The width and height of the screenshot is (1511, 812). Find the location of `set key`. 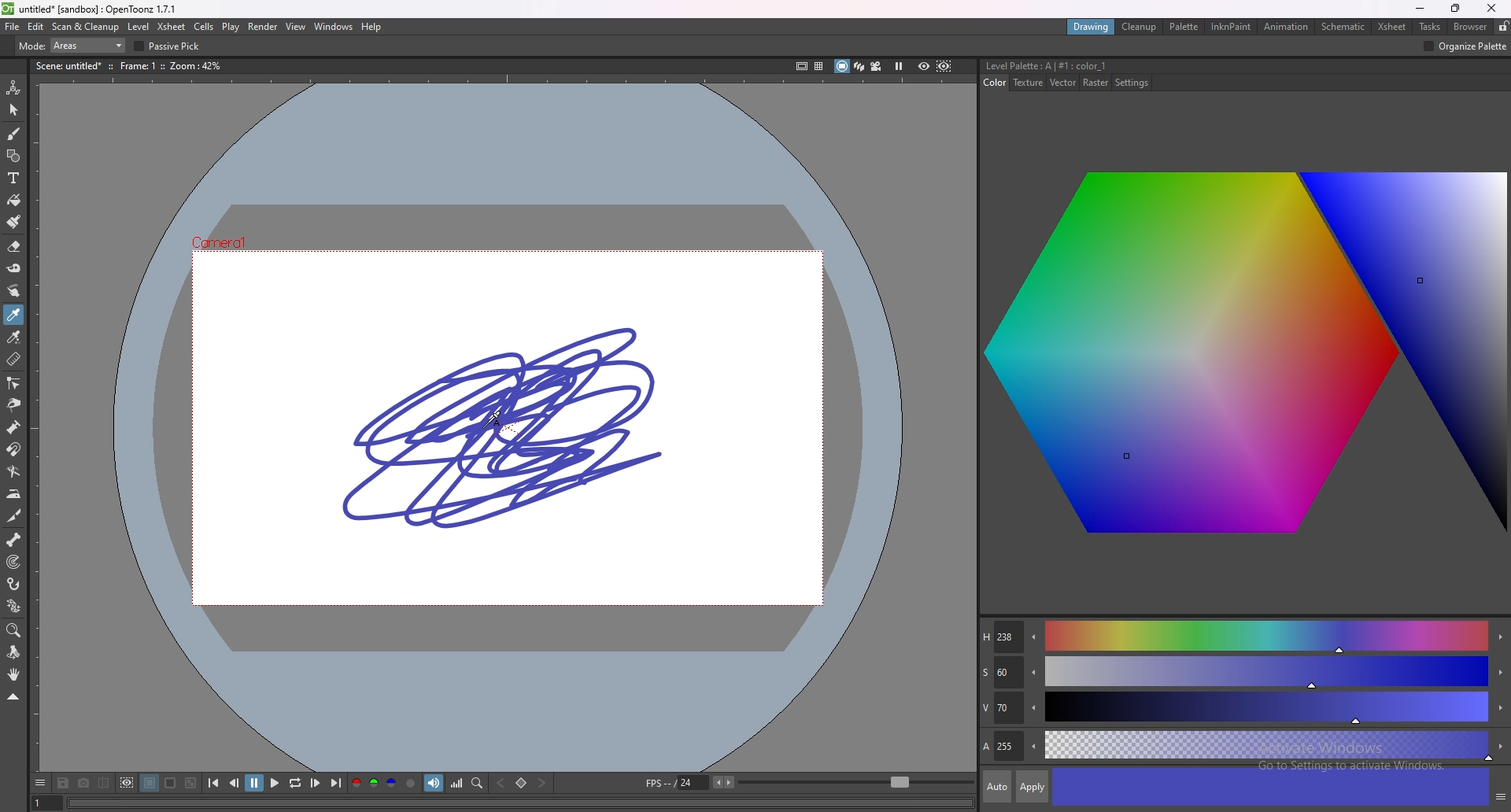

set key is located at coordinates (522, 783).